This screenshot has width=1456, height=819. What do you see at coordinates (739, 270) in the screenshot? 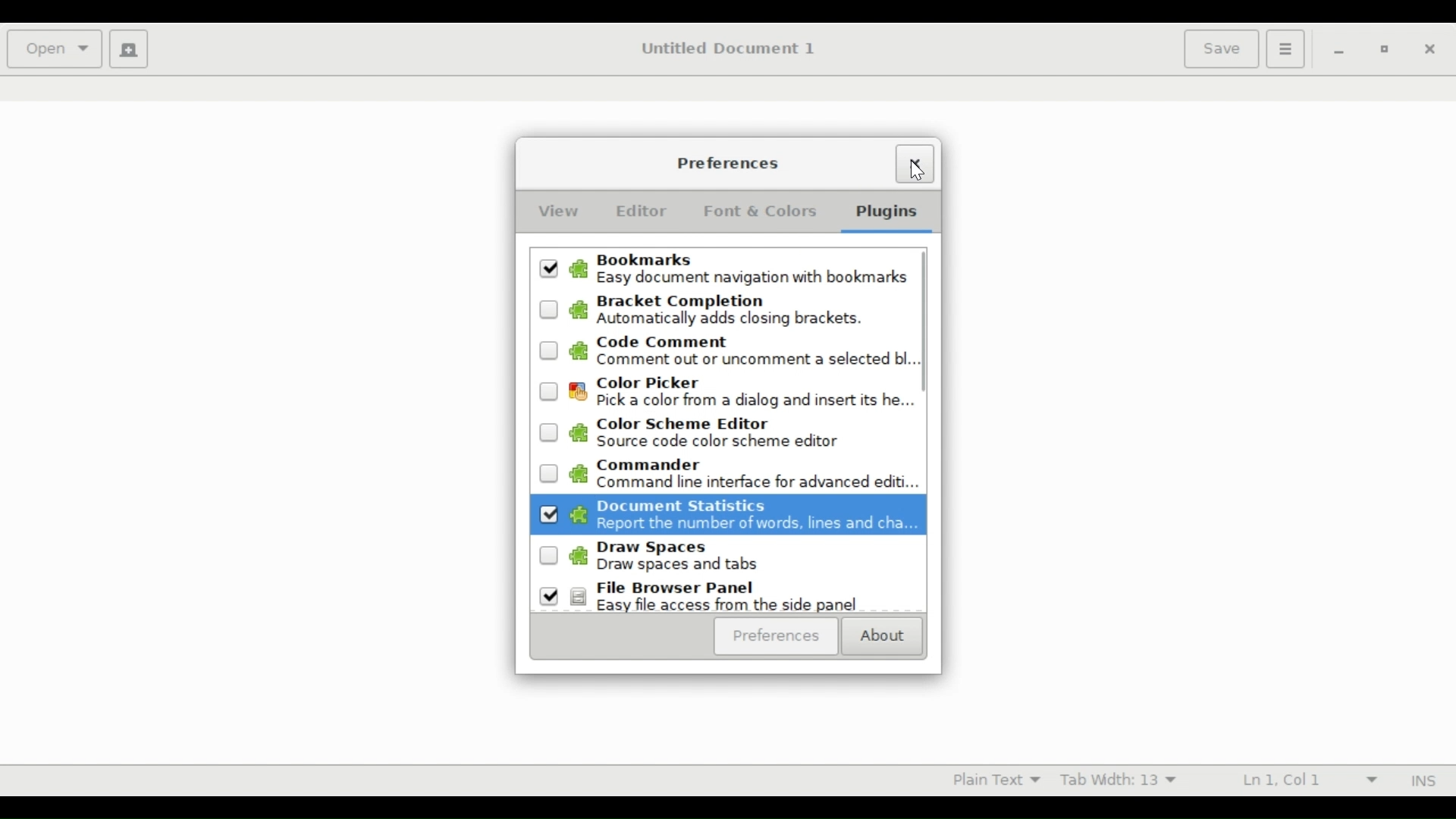
I see `(un)check Bookmarks Easy documentnavigation with bookmark` at bounding box center [739, 270].